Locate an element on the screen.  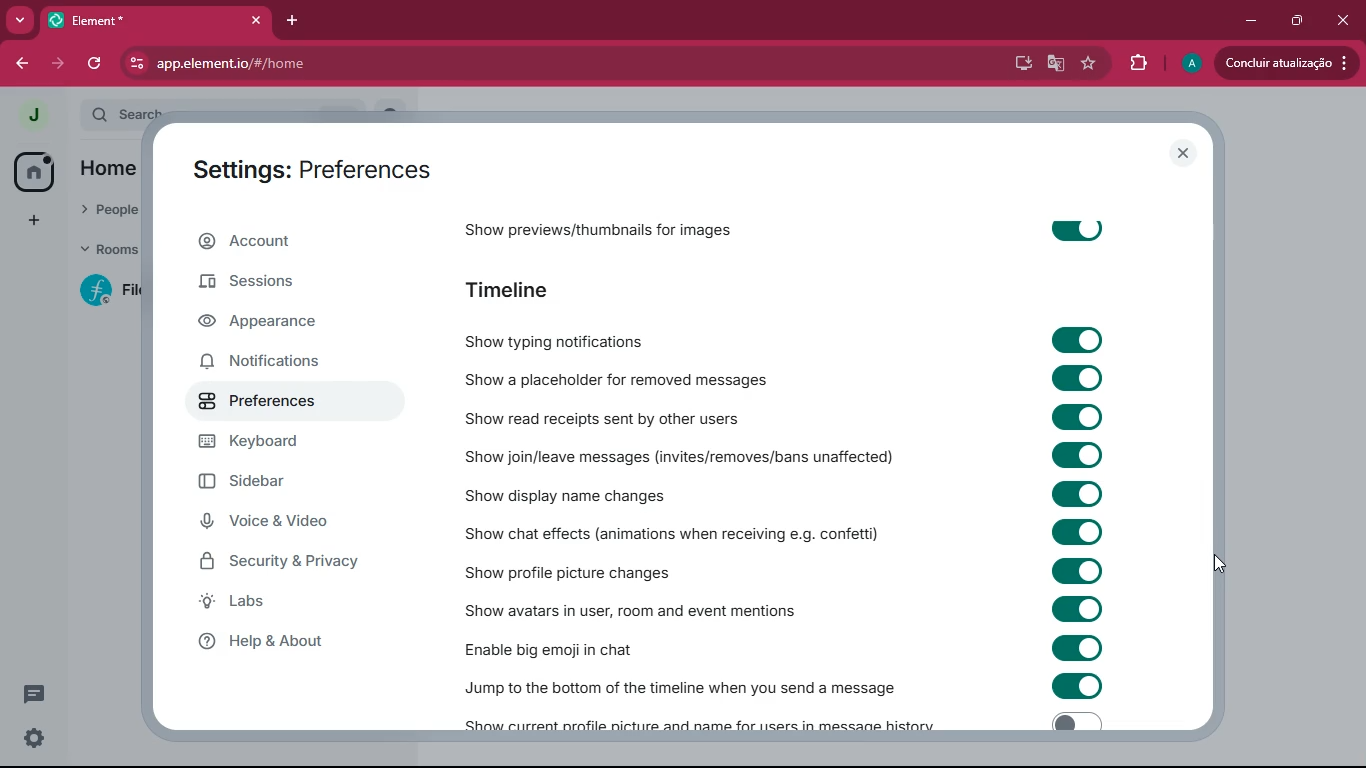
show a placeholder for removed messages is located at coordinates (613, 381).